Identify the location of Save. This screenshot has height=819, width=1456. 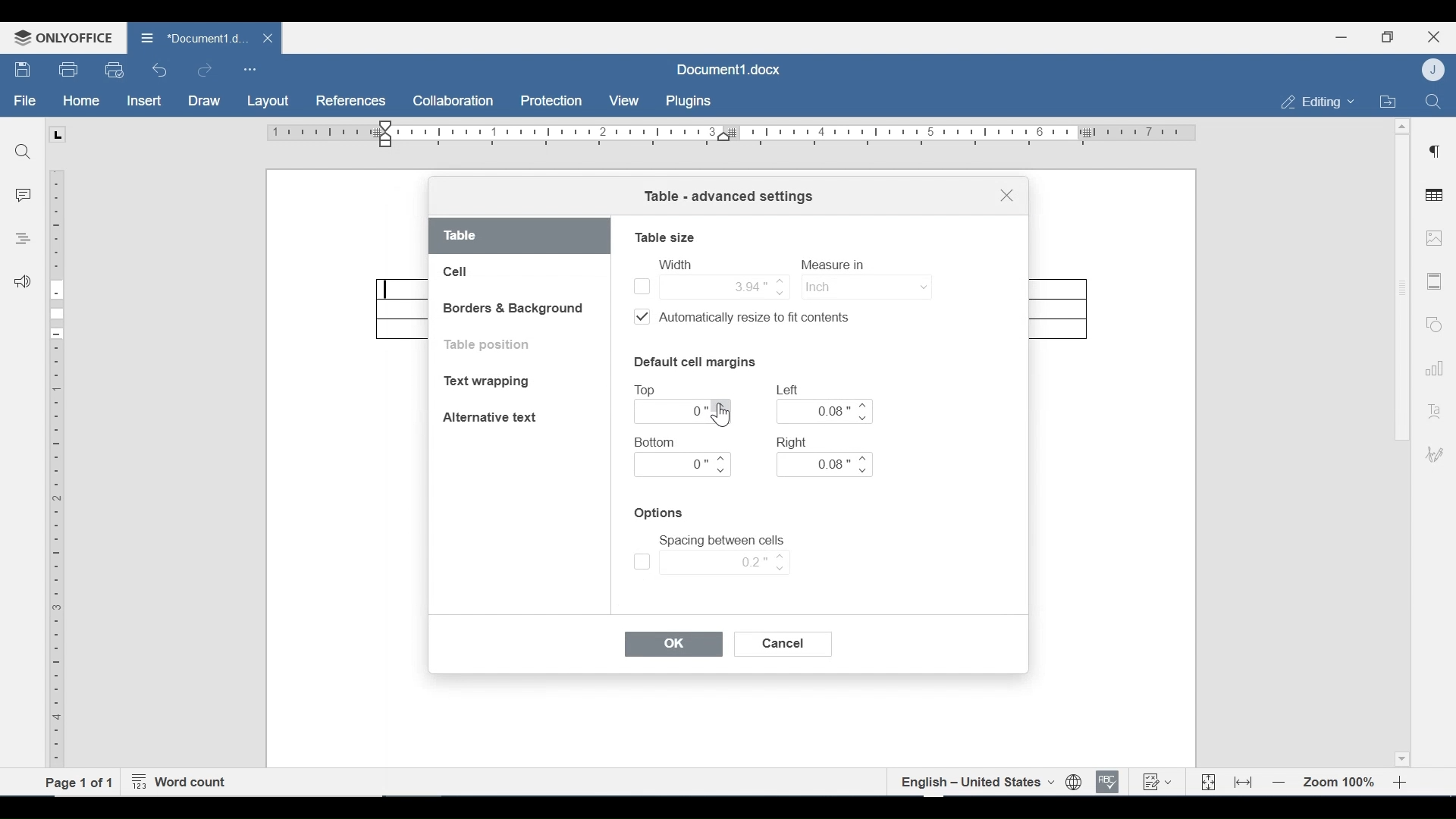
(24, 70).